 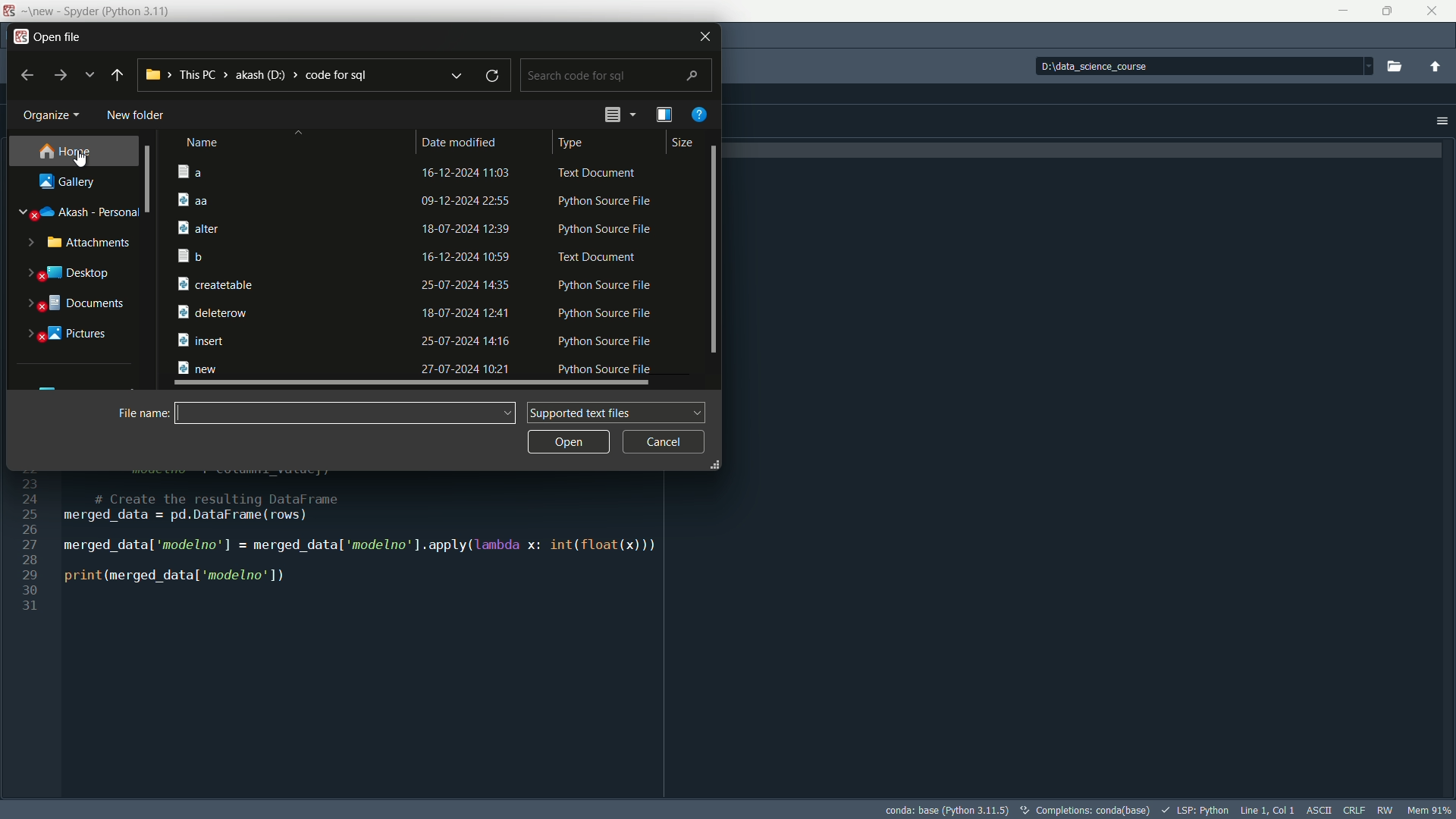 I want to click on filetype, so click(x=599, y=171).